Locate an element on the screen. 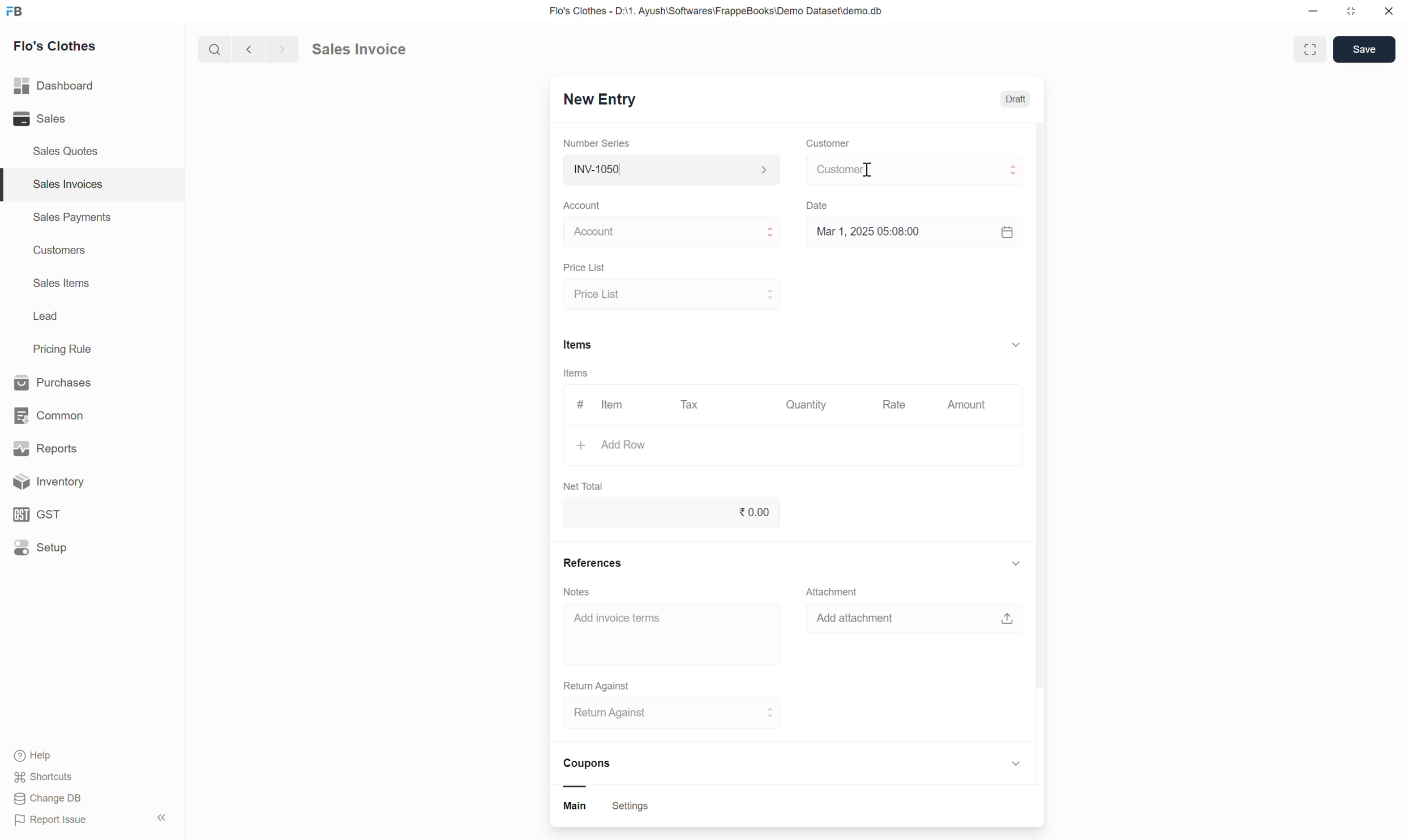 This screenshot has height=840, width=1408. References is located at coordinates (593, 560).